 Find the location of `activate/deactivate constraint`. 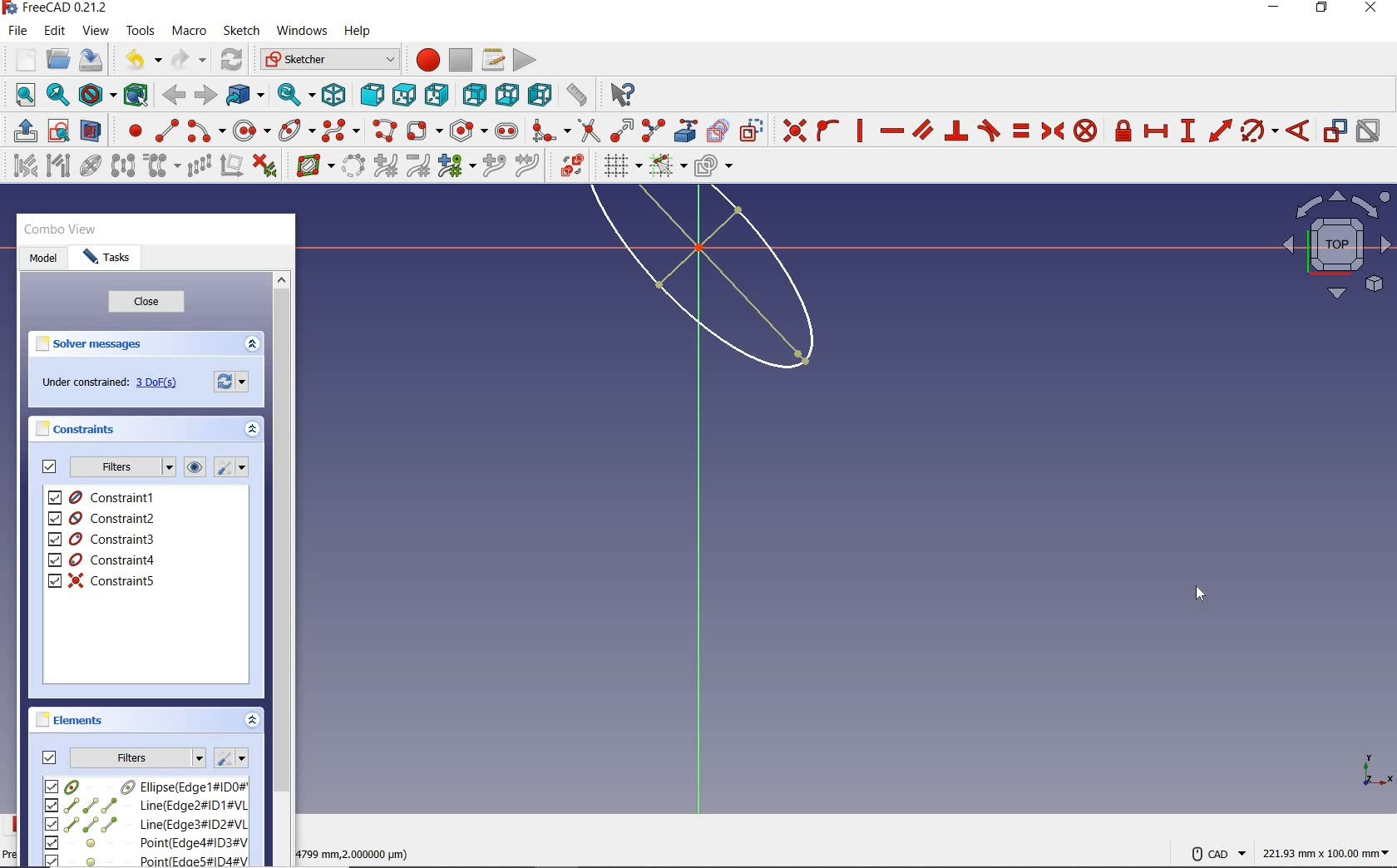

activate/deactivate constraint is located at coordinates (1369, 131).